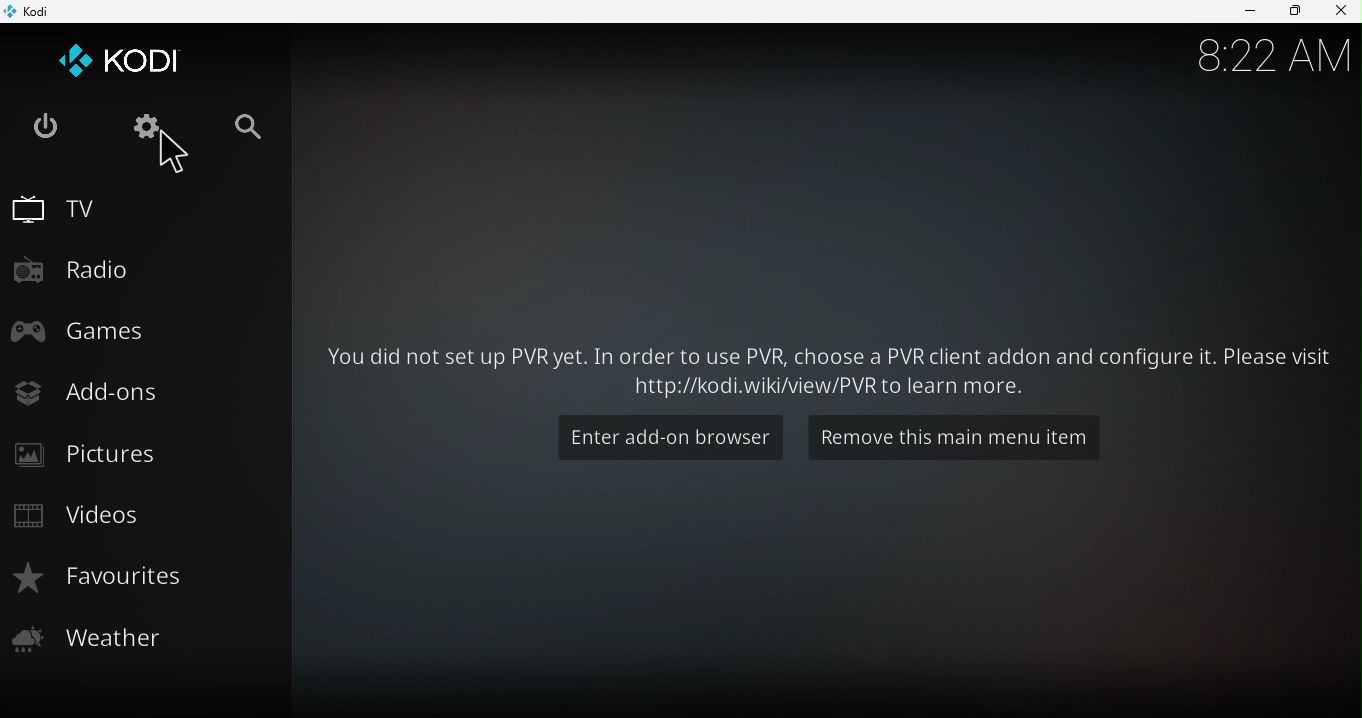 Image resolution: width=1362 pixels, height=718 pixels. What do you see at coordinates (123, 59) in the screenshot?
I see `Kodi icon` at bounding box center [123, 59].